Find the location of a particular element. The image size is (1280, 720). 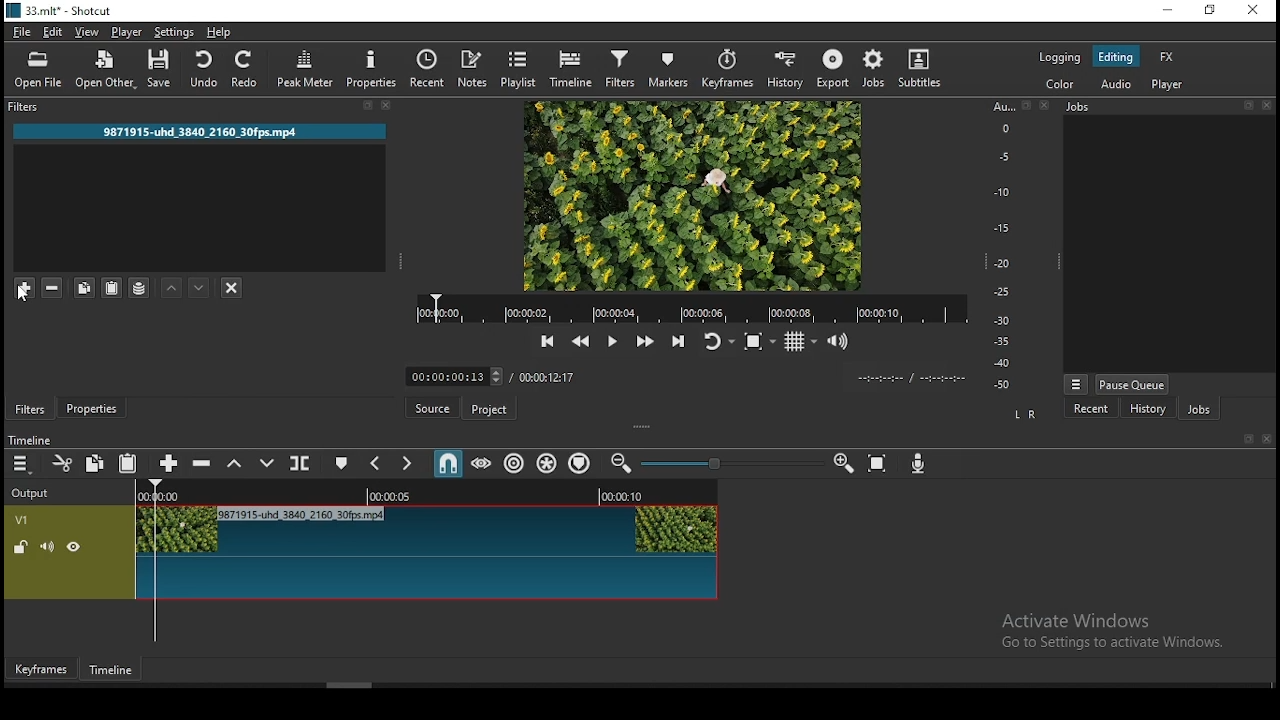

copy is located at coordinates (95, 465).